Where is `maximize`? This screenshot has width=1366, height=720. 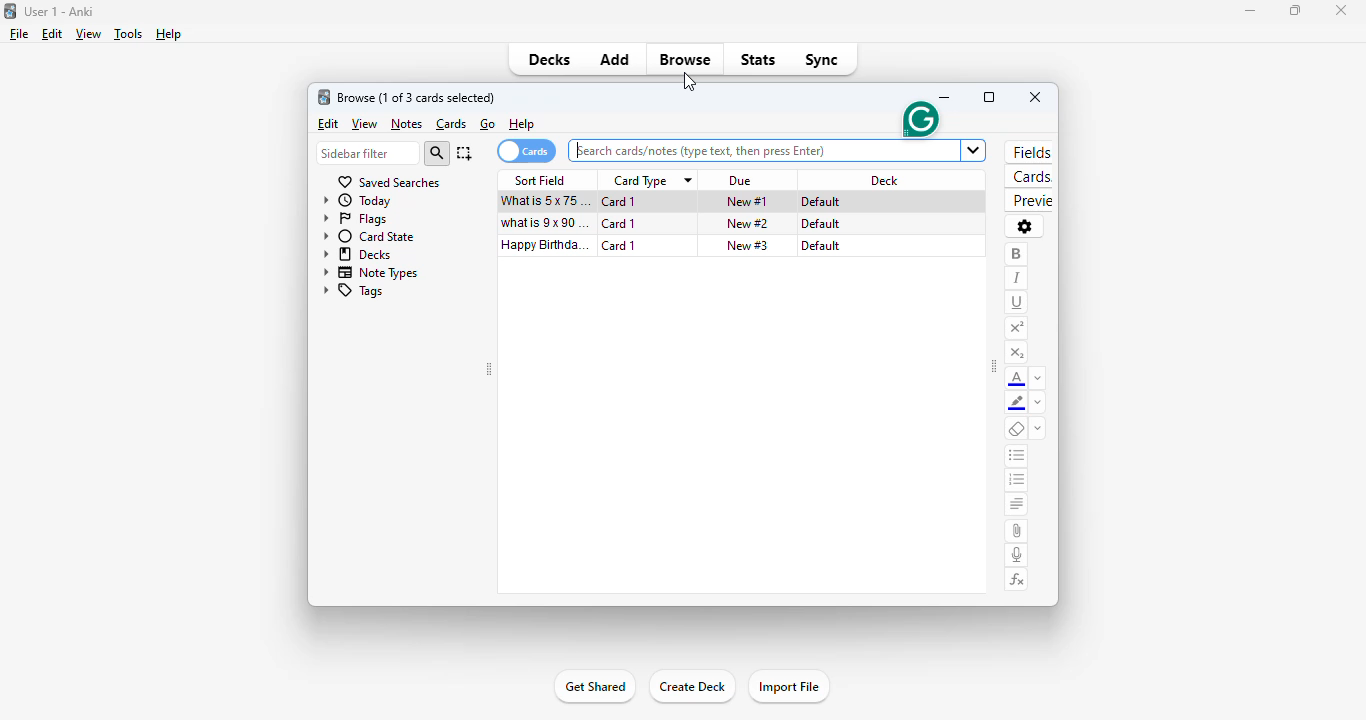
maximize is located at coordinates (1296, 10).